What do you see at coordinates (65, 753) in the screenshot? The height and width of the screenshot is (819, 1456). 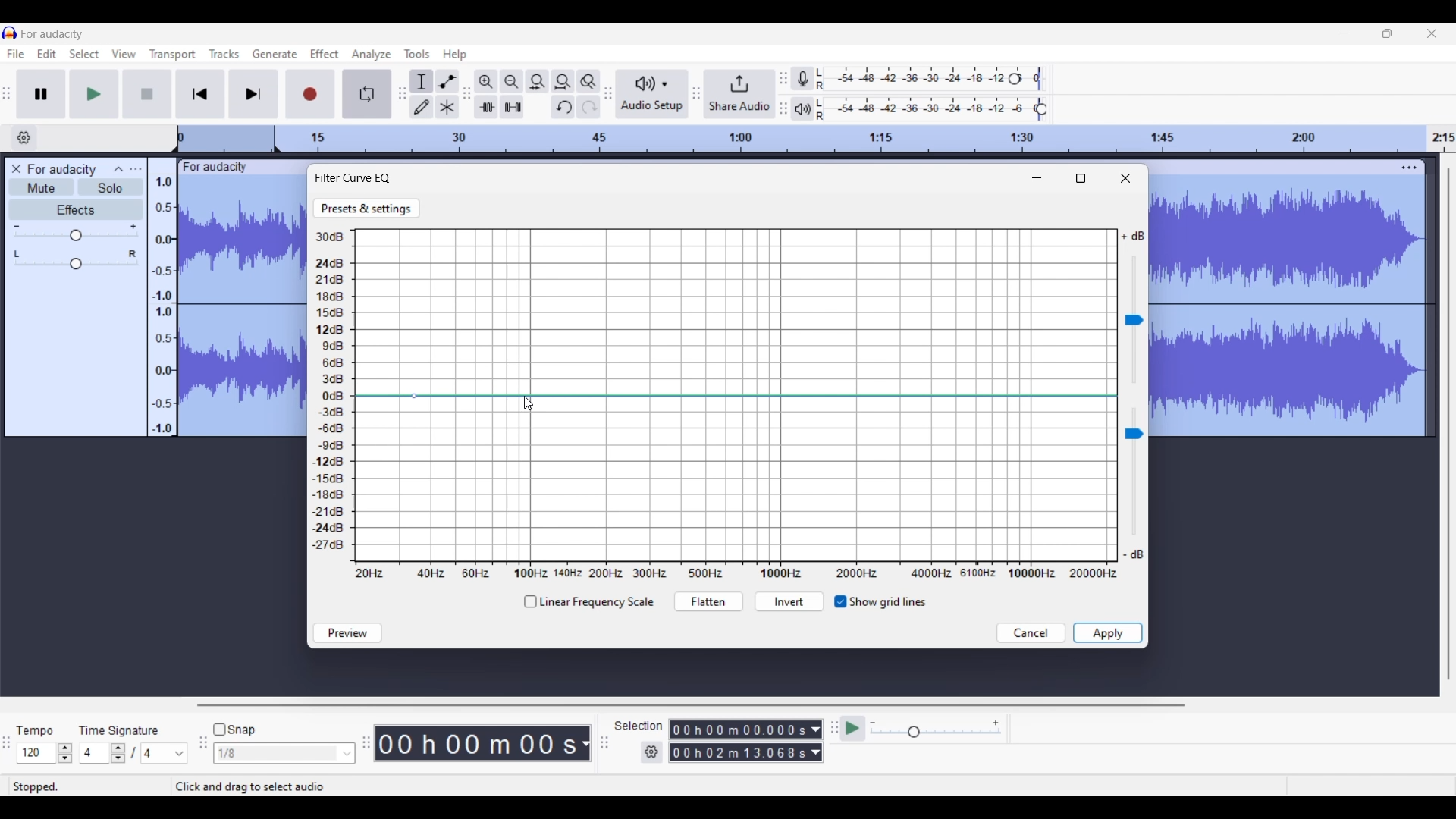 I see `Increase/Decrease tempo` at bounding box center [65, 753].